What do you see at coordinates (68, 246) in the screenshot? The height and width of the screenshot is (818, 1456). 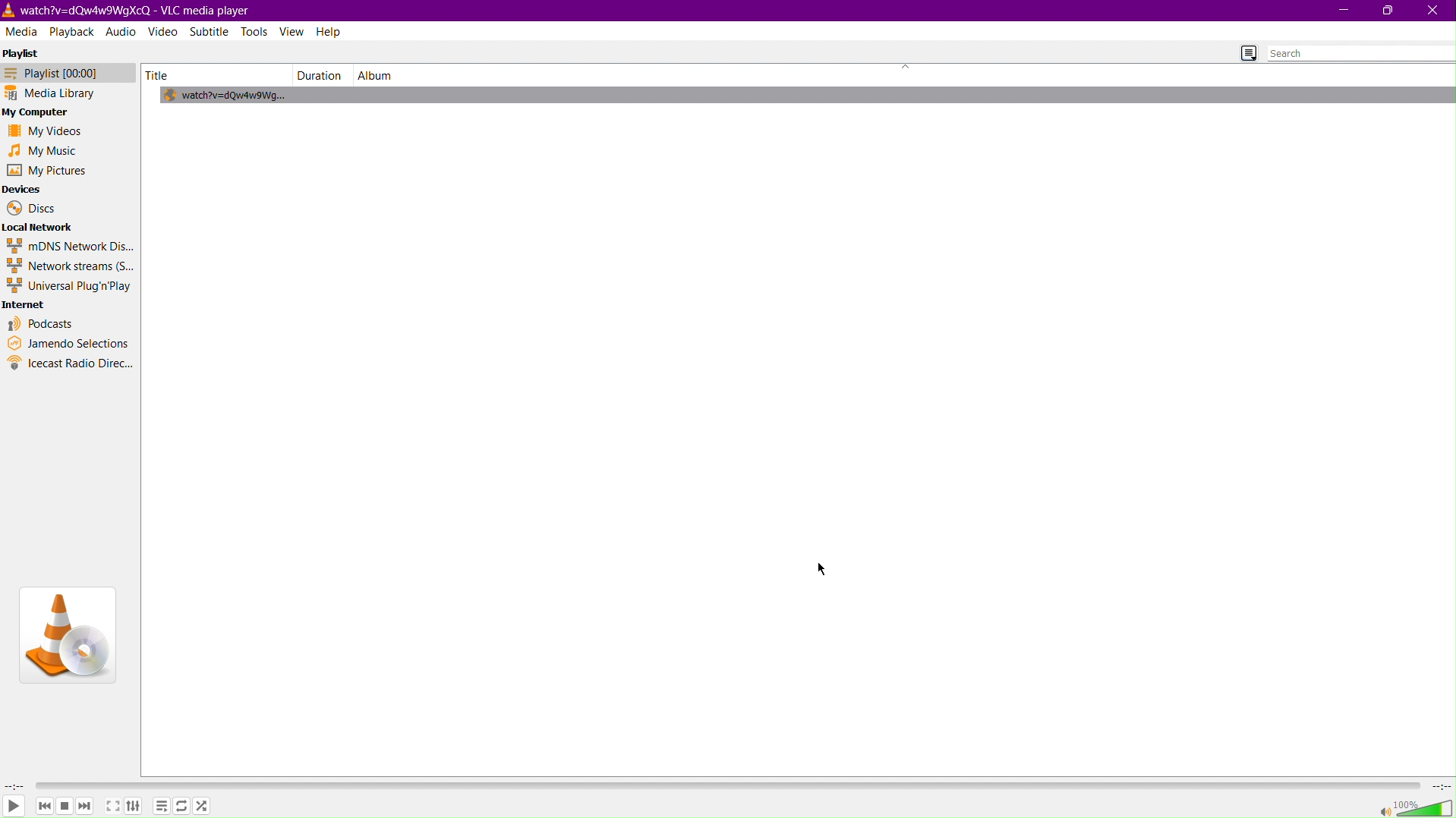 I see `mDNS Network Distribution` at bounding box center [68, 246].